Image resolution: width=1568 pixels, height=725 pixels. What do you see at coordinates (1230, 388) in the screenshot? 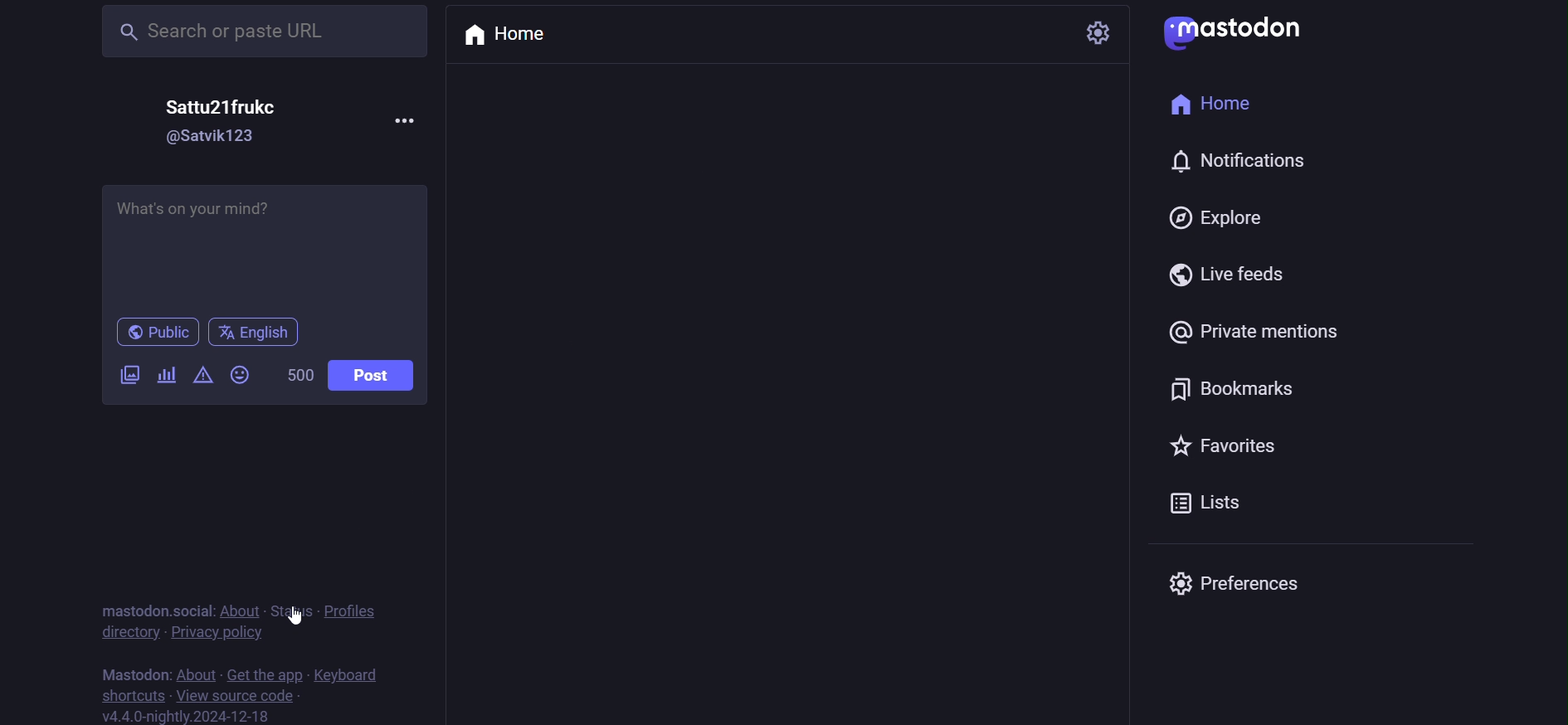
I see `bookmark` at bounding box center [1230, 388].